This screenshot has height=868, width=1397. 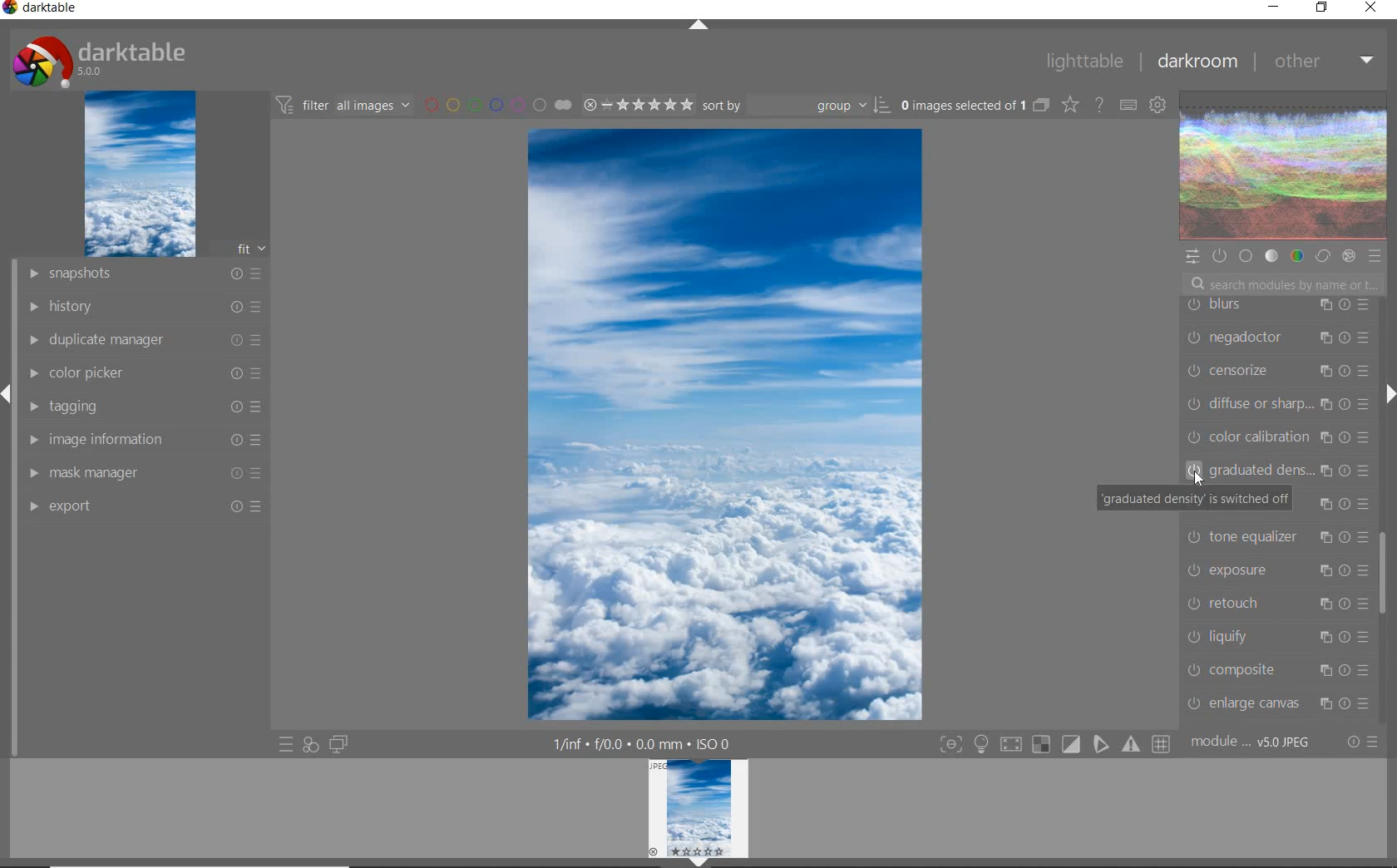 What do you see at coordinates (1361, 741) in the screenshot?
I see `RESET OR PRESET & PREFERENCE` at bounding box center [1361, 741].